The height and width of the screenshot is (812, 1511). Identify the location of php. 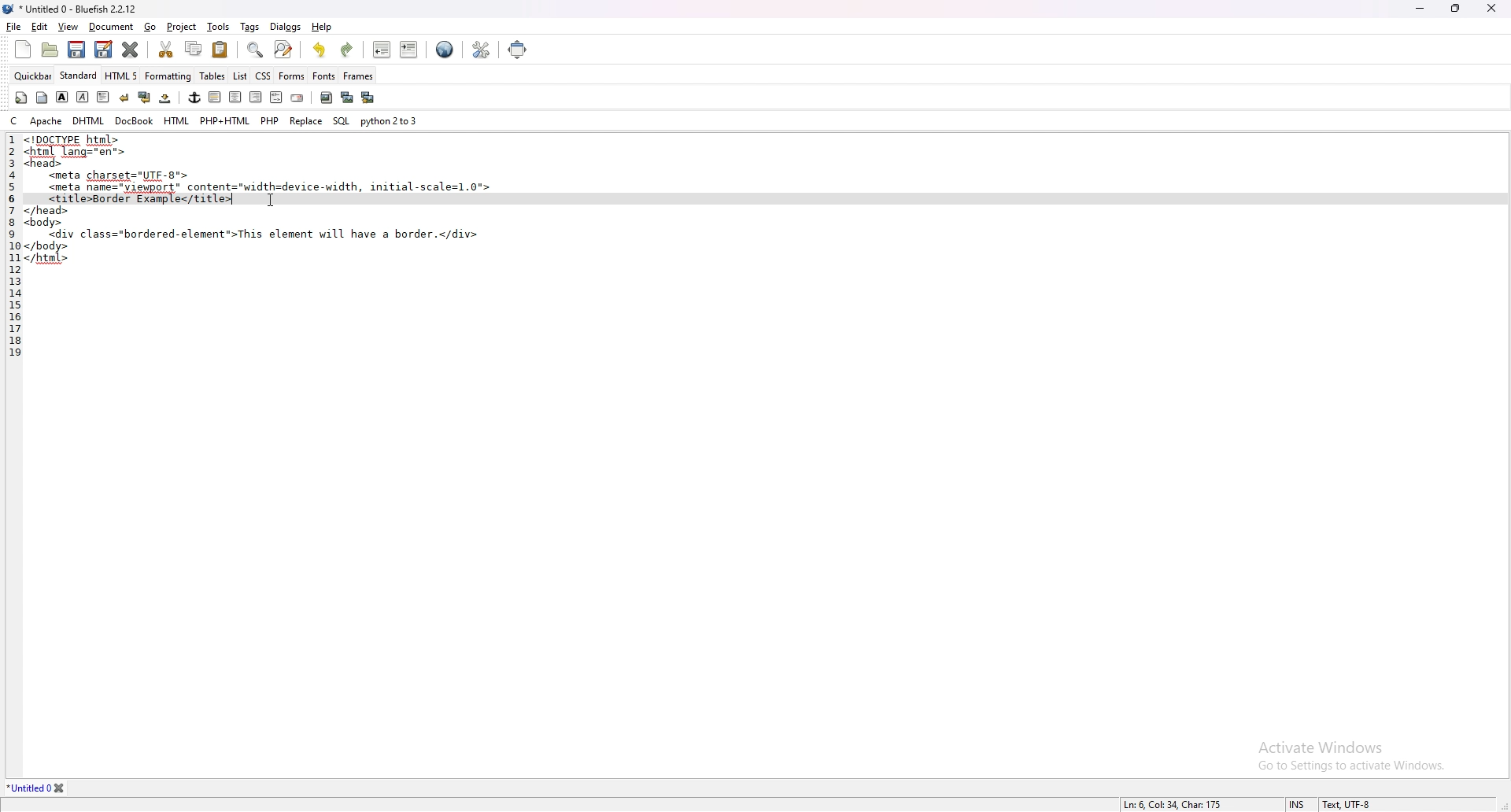
(269, 119).